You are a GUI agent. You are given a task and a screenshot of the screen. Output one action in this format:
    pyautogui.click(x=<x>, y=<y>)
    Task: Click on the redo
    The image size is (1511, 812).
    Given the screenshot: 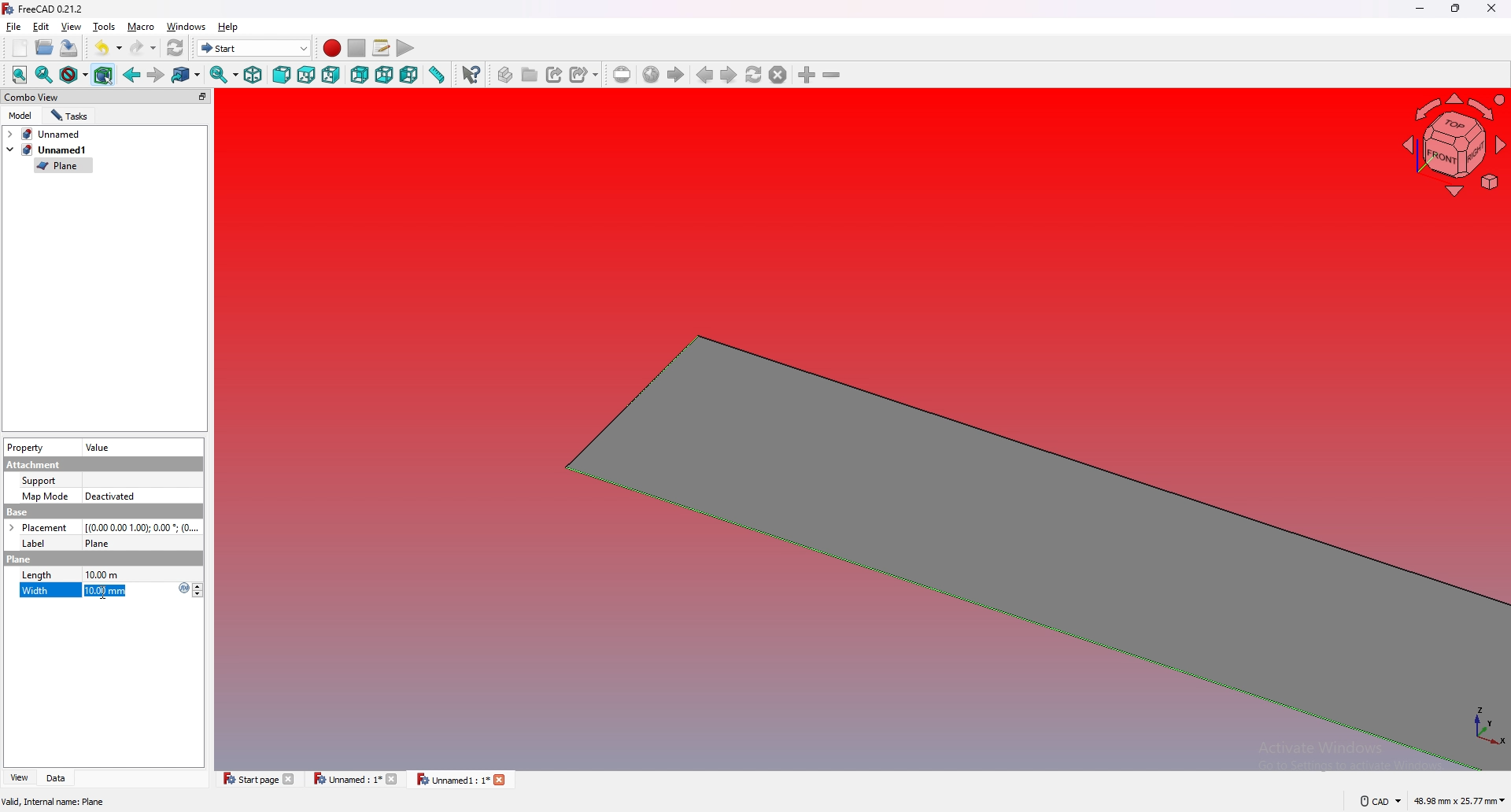 What is the action you would take?
    pyautogui.click(x=144, y=48)
    